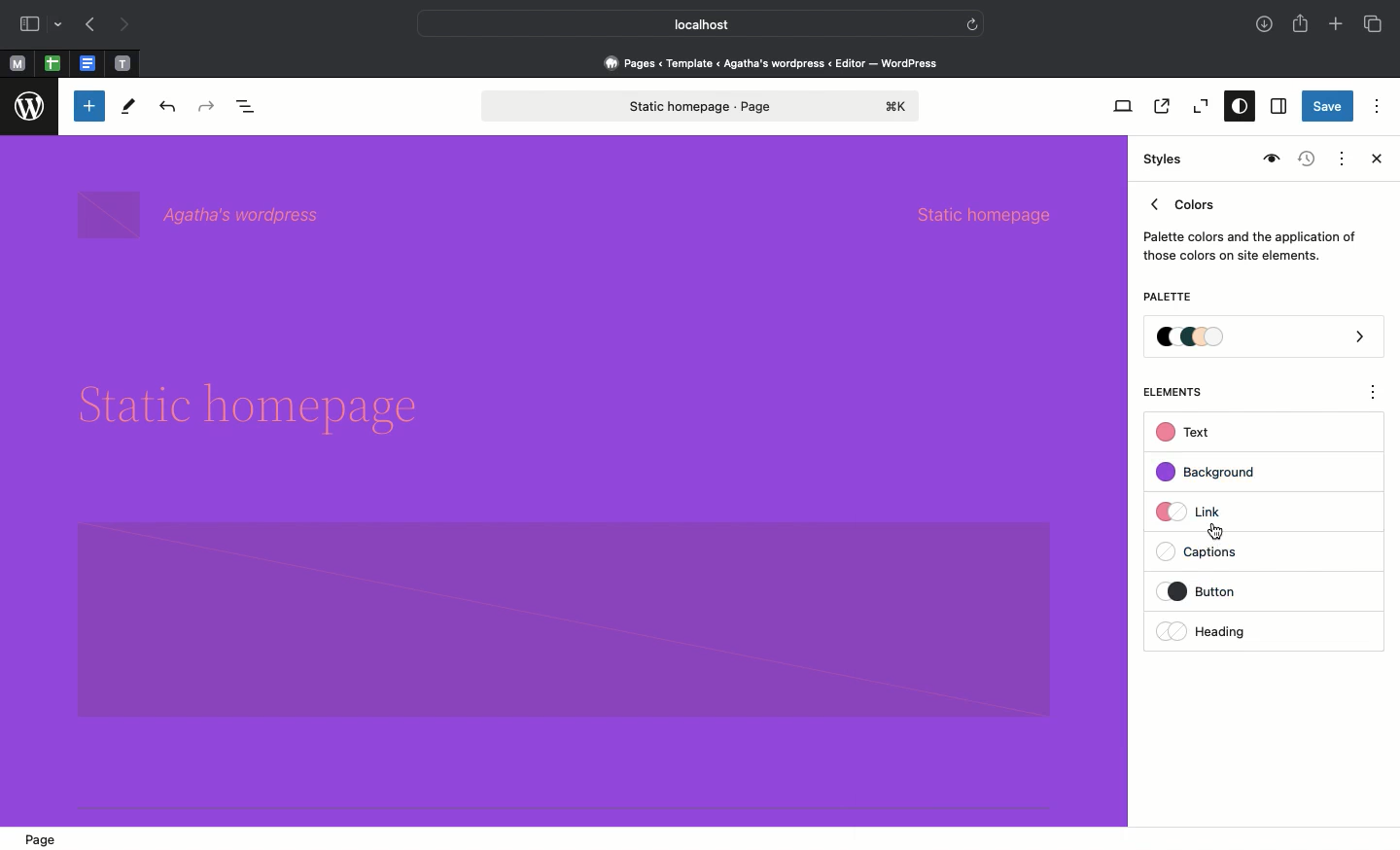  What do you see at coordinates (984, 215) in the screenshot?
I see `Static homepage` at bounding box center [984, 215].